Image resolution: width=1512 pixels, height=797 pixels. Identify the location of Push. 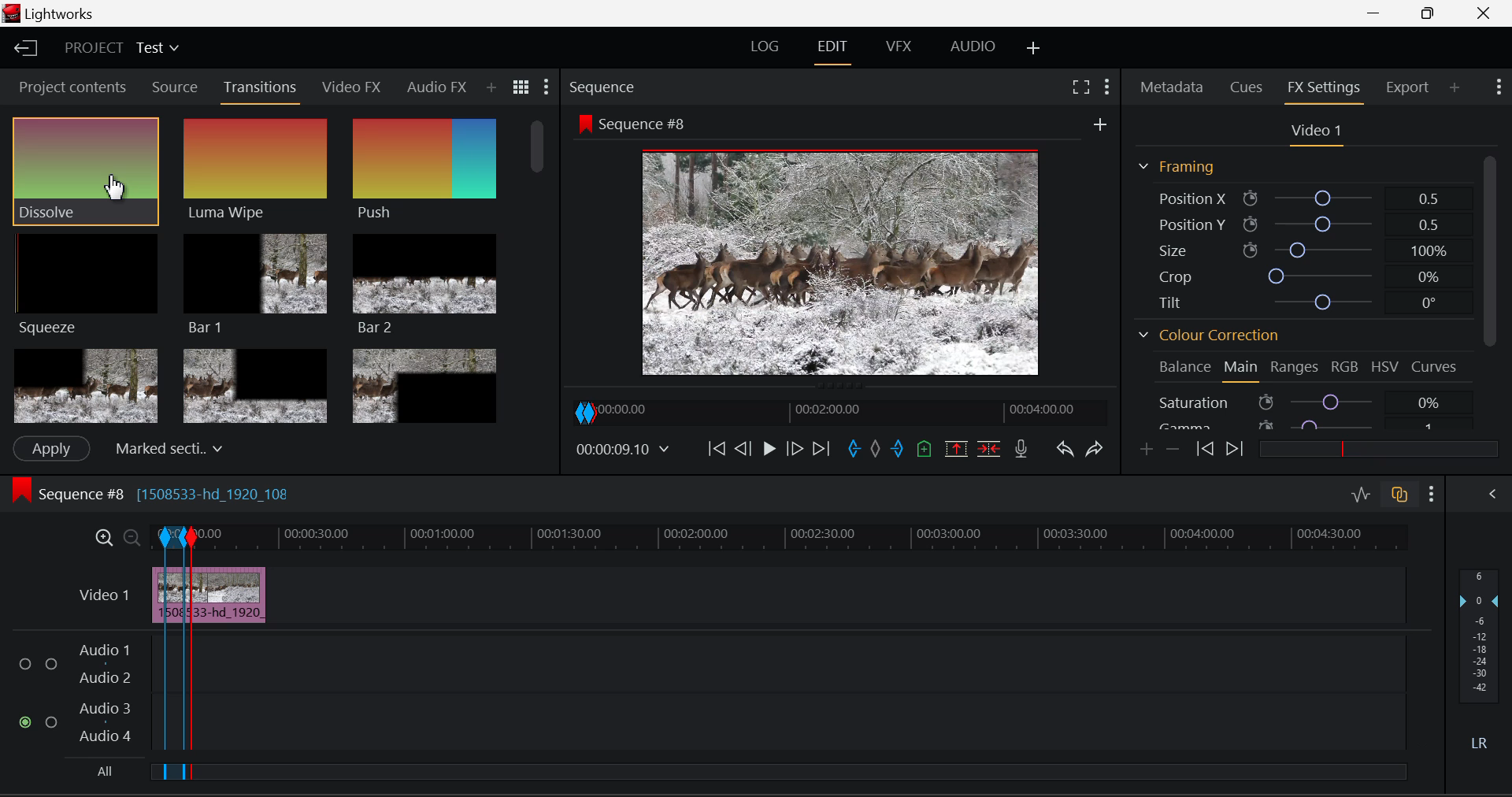
(424, 172).